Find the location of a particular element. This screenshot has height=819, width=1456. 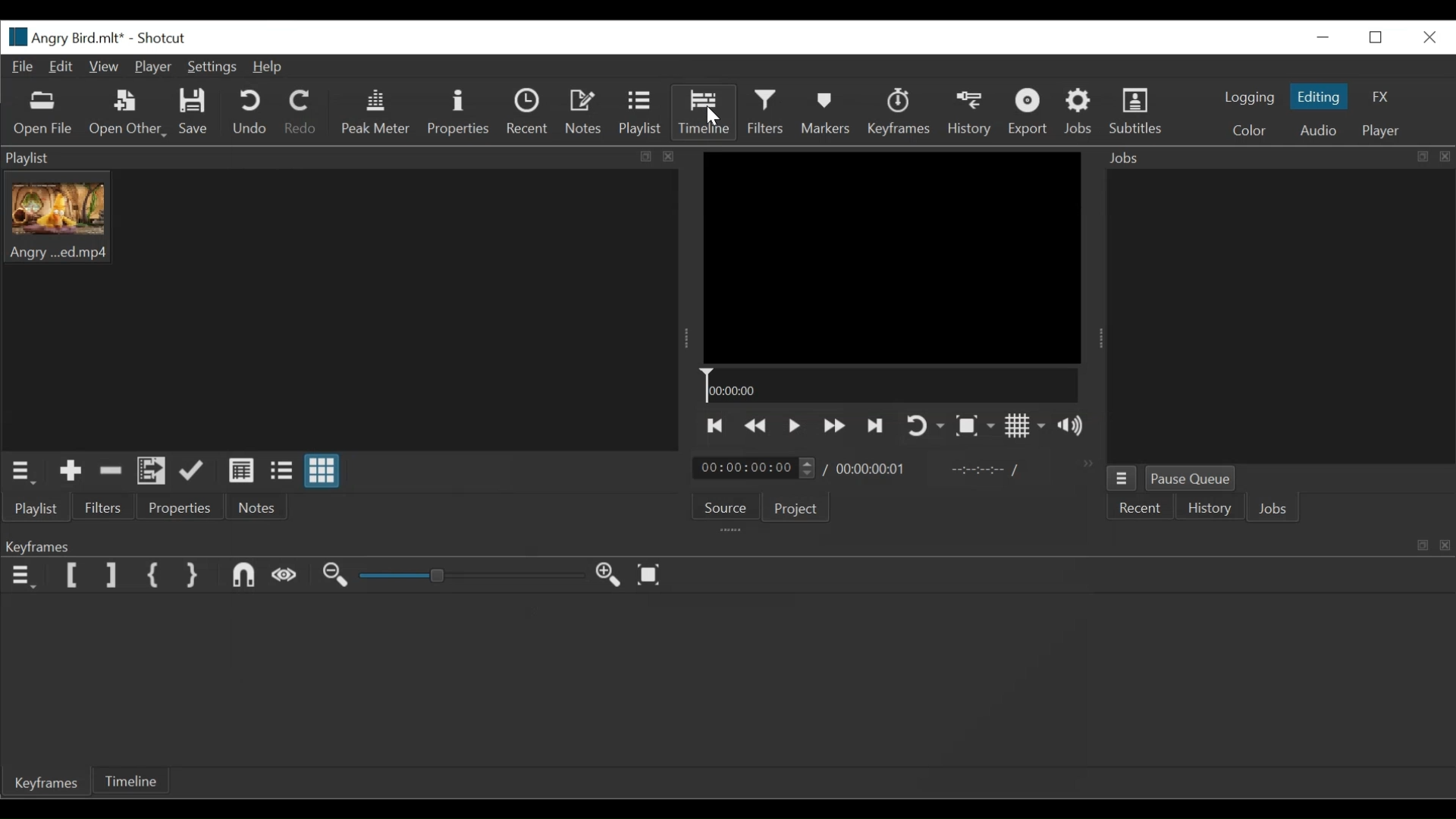

Play backwards quickly is located at coordinates (757, 426).